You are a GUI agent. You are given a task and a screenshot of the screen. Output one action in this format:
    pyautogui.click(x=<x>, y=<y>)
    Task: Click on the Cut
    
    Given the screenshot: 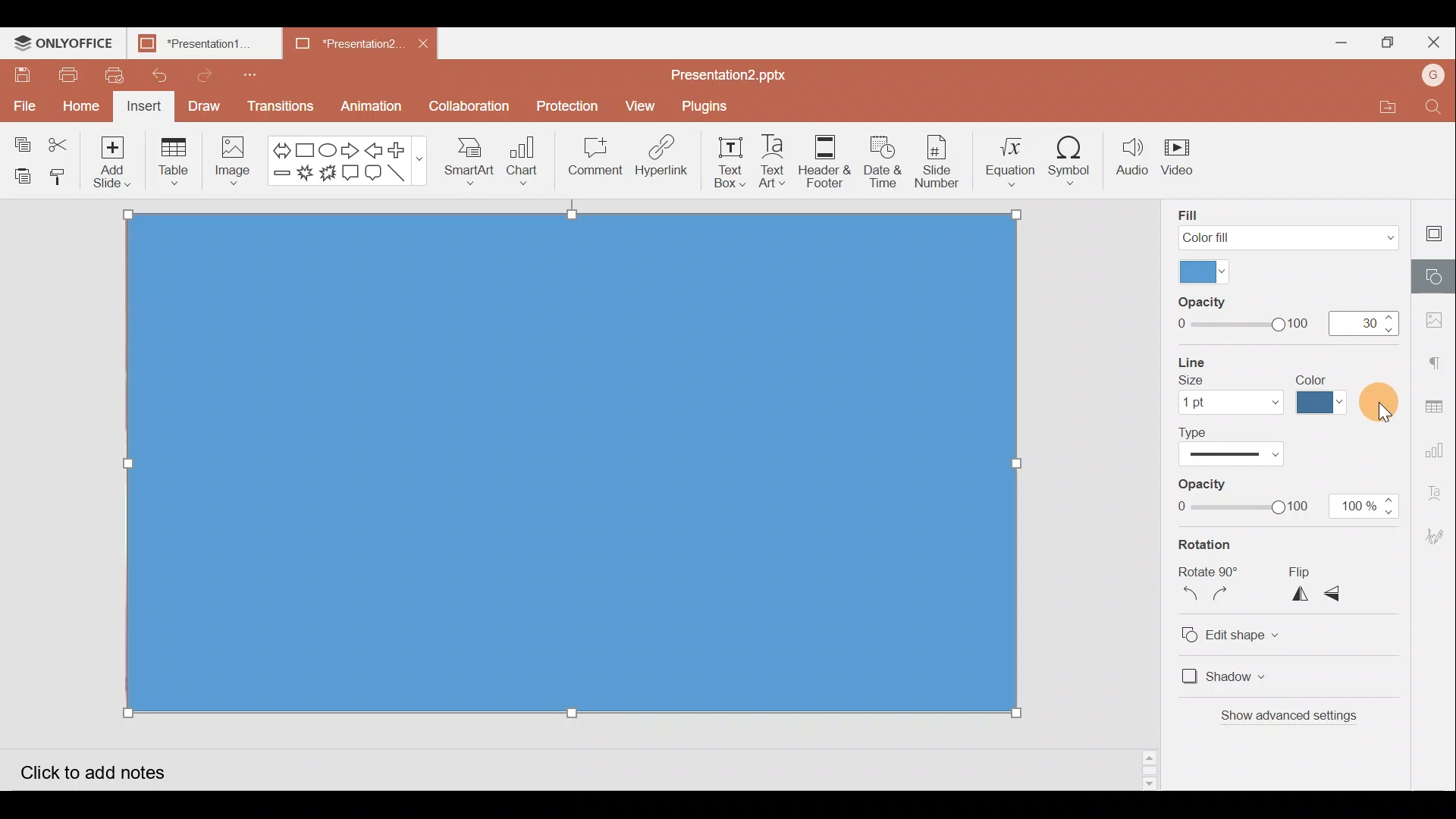 What is the action you would take?
    pyautogui.click(x=61, y=140)
    